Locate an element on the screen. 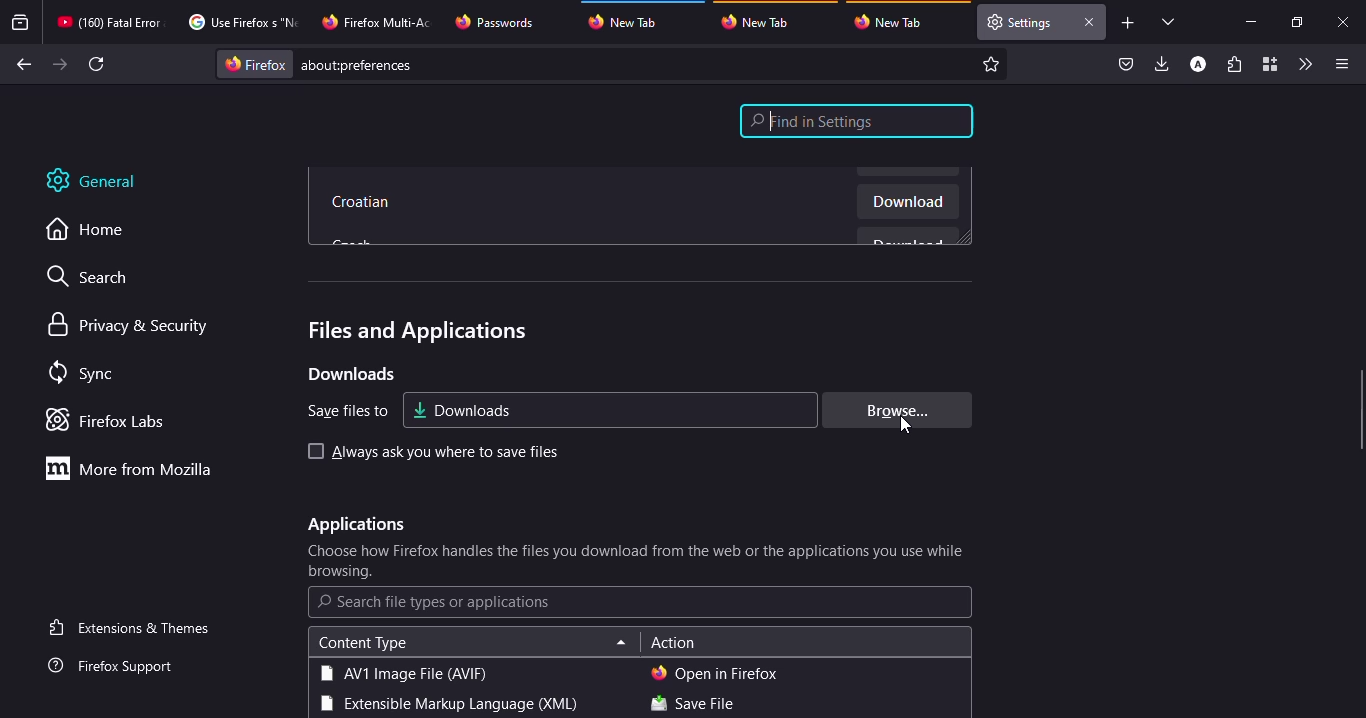  tab is located at coordinates (894, 22).